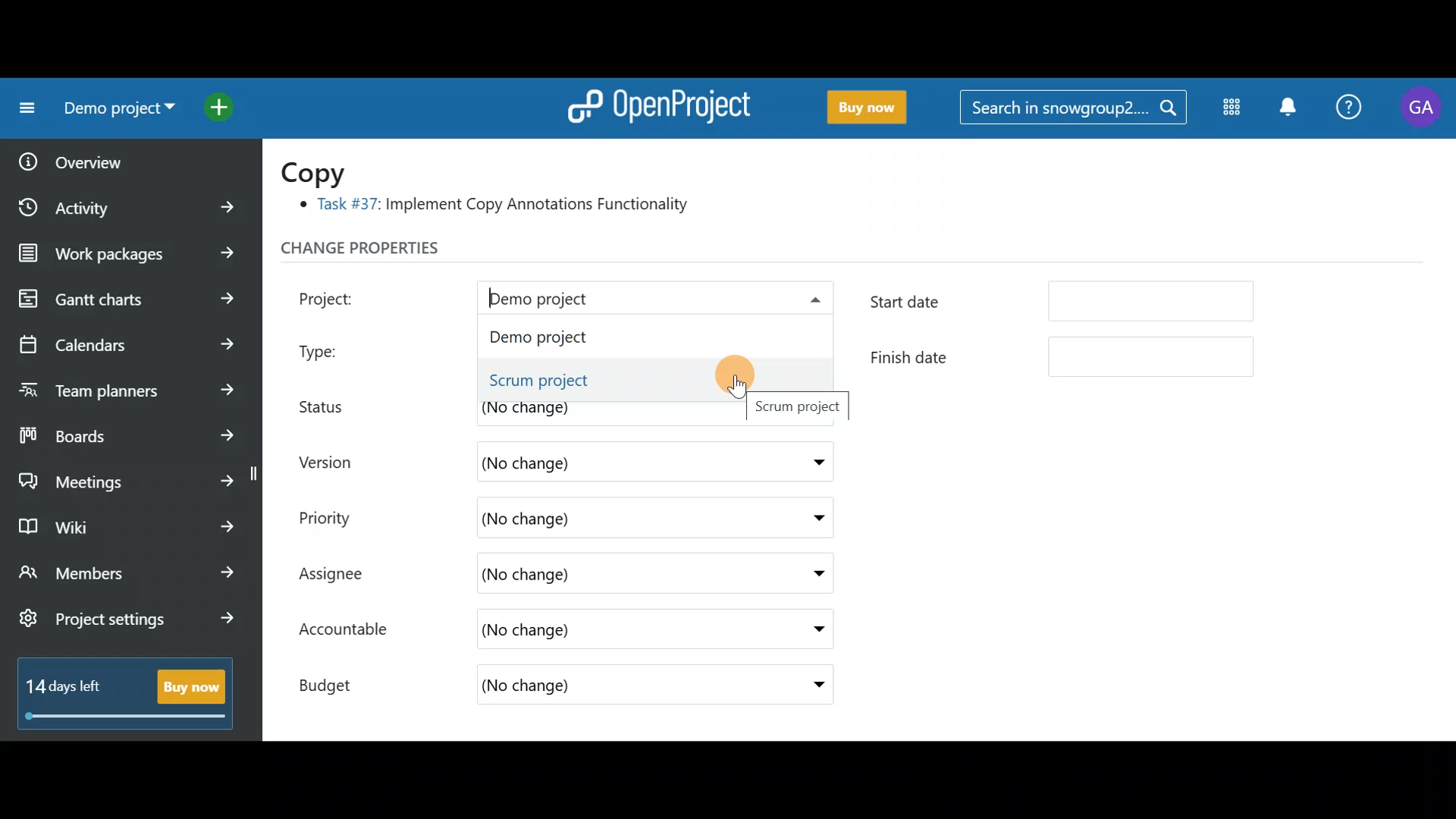  I want to click on Help, so click(1350, 109).